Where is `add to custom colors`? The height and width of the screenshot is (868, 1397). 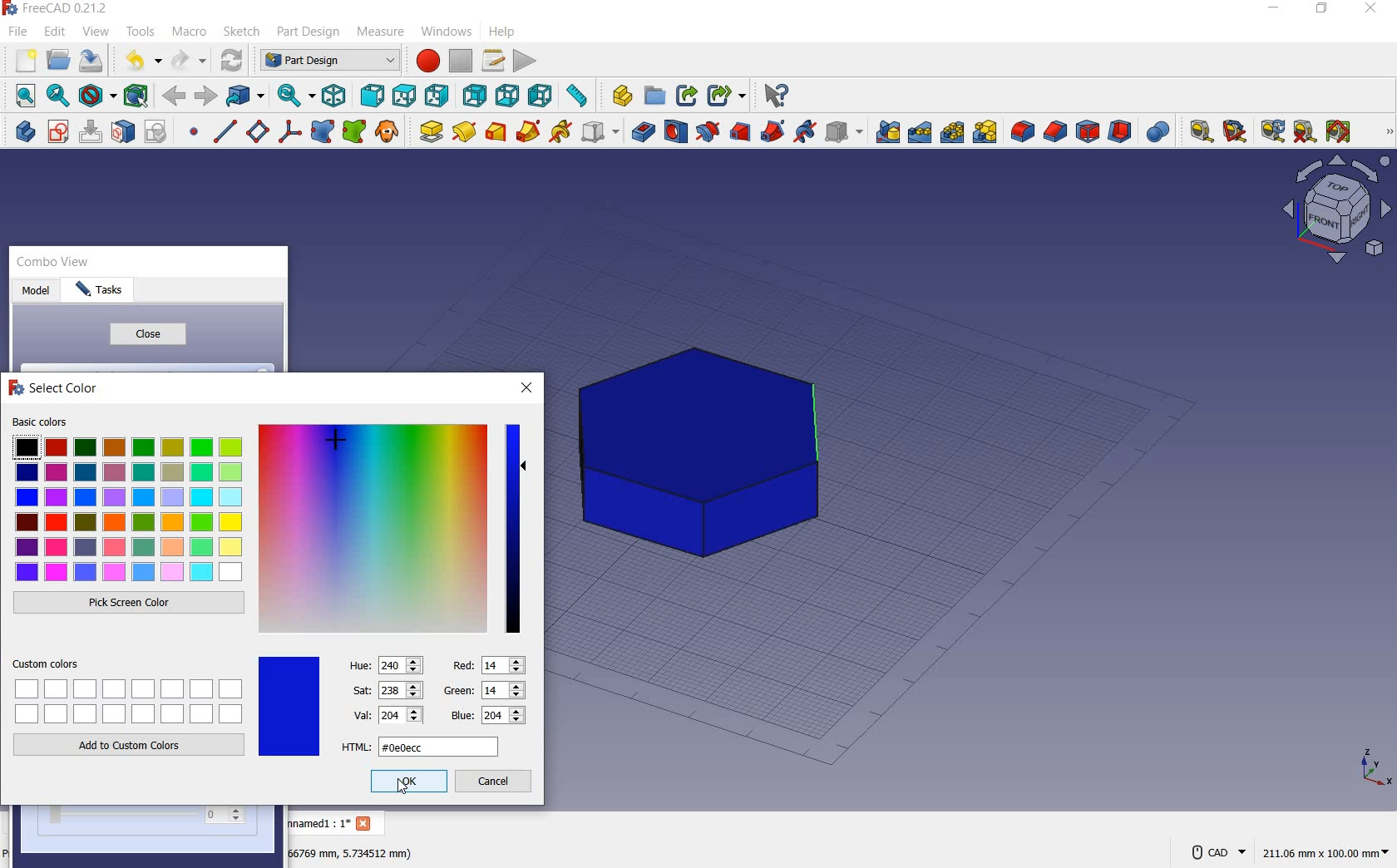
add to custom colors is located at coordinates (130, 748).